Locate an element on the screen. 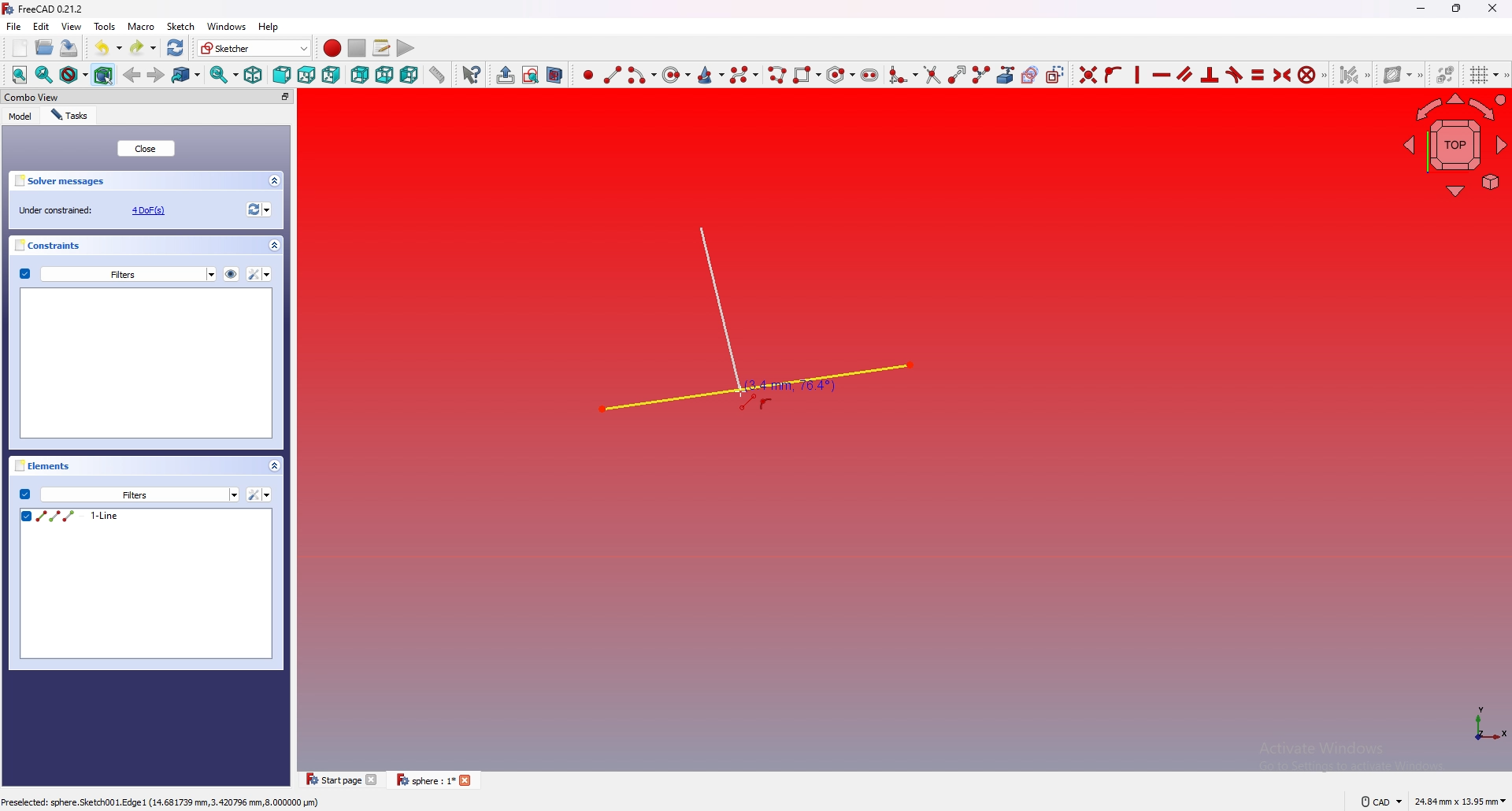  What's this? is located at coordinates (470, 74).